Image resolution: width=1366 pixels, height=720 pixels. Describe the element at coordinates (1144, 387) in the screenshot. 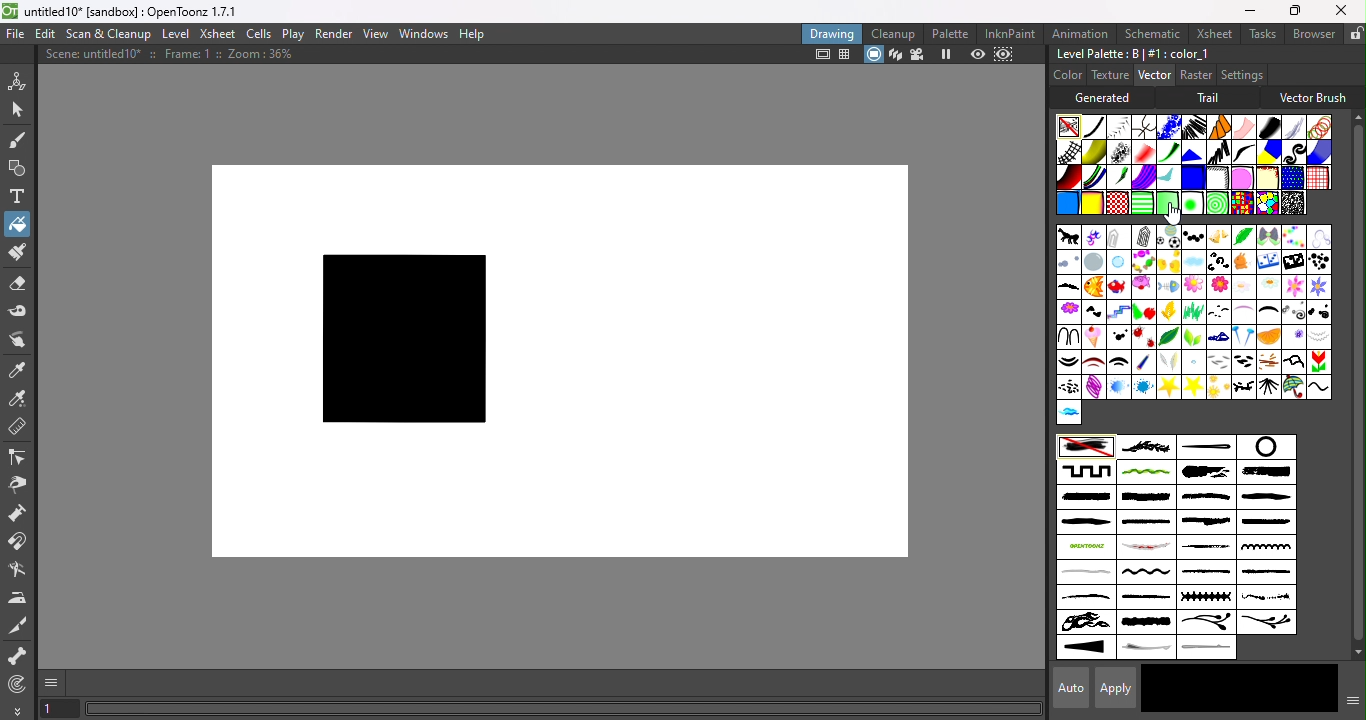

I see `stai` at that location.